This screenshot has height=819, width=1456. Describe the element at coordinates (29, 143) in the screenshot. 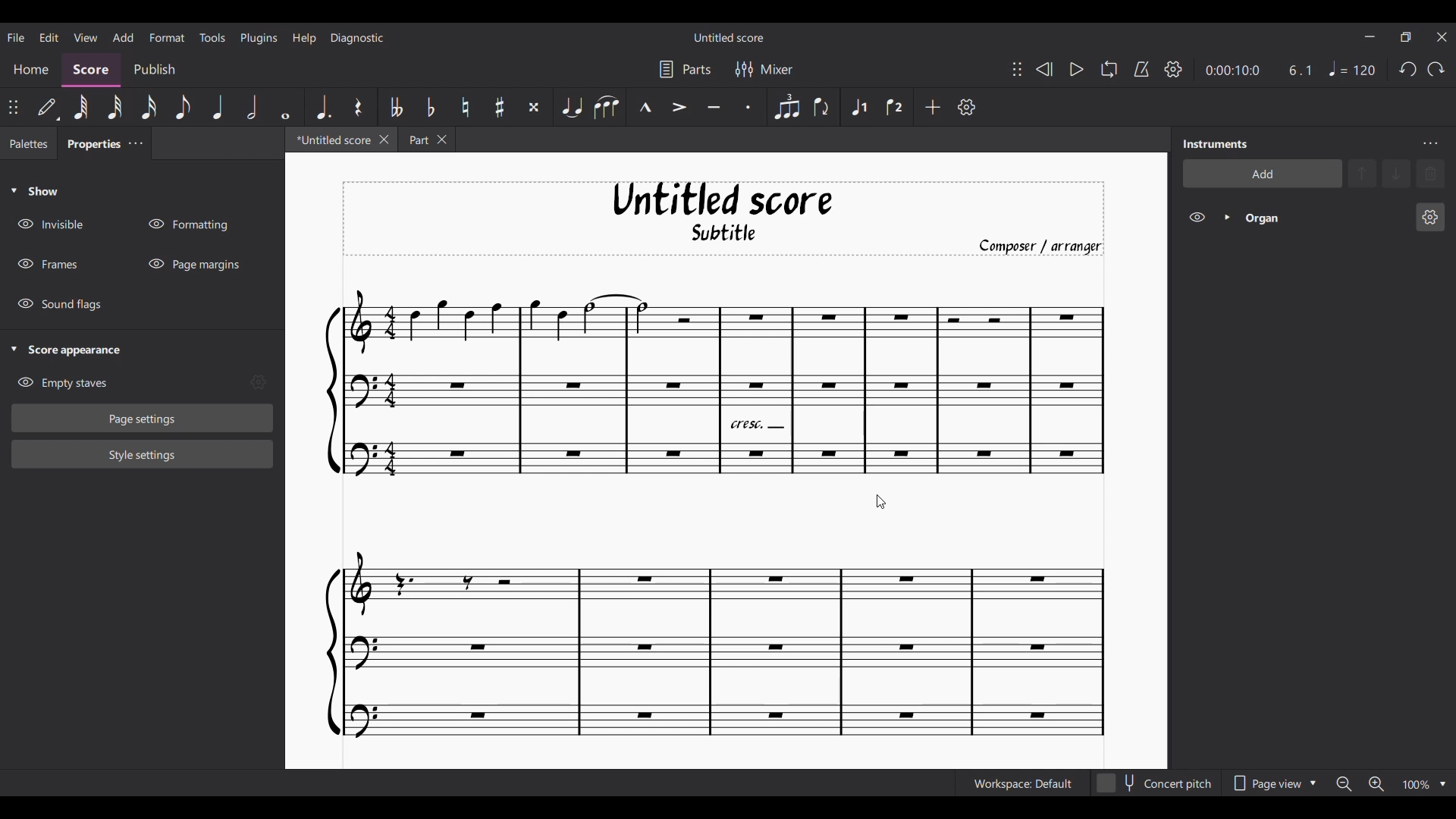

I see `Palettes tab` at that location.